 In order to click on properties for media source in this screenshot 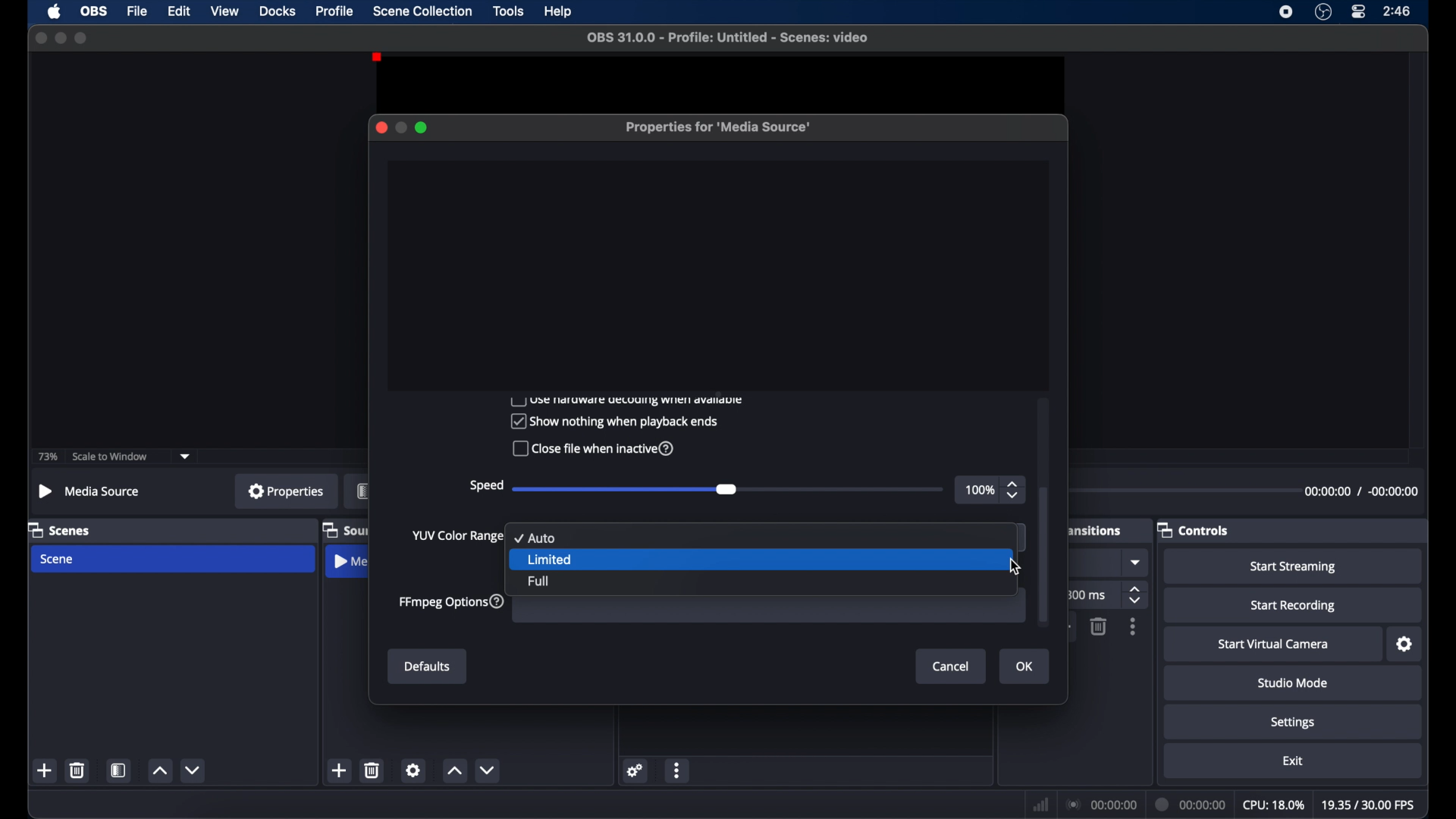, I will do `click(720, 128)`.